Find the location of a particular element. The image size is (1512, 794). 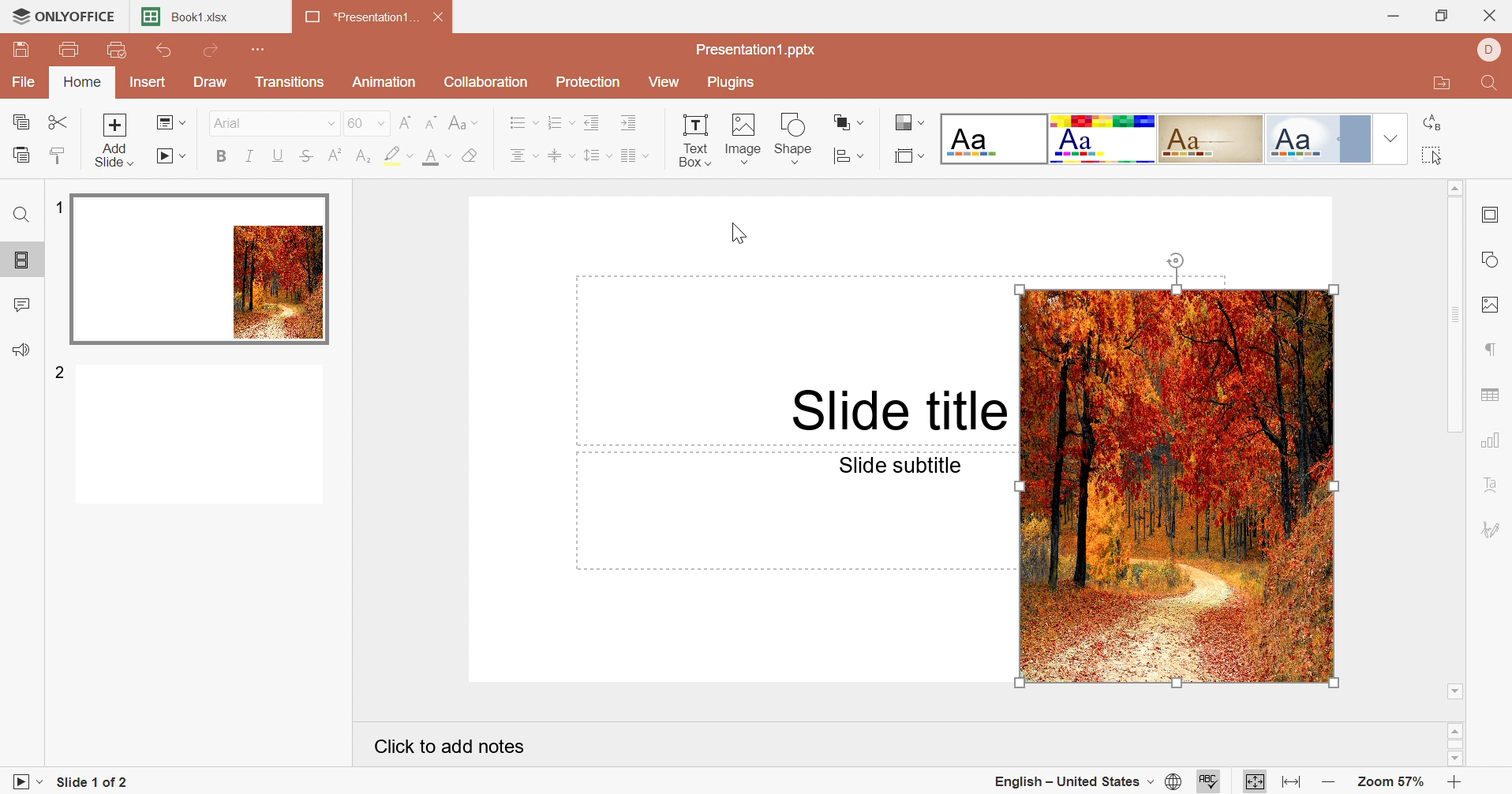

Line spacing is located at coordinates (591, 158).